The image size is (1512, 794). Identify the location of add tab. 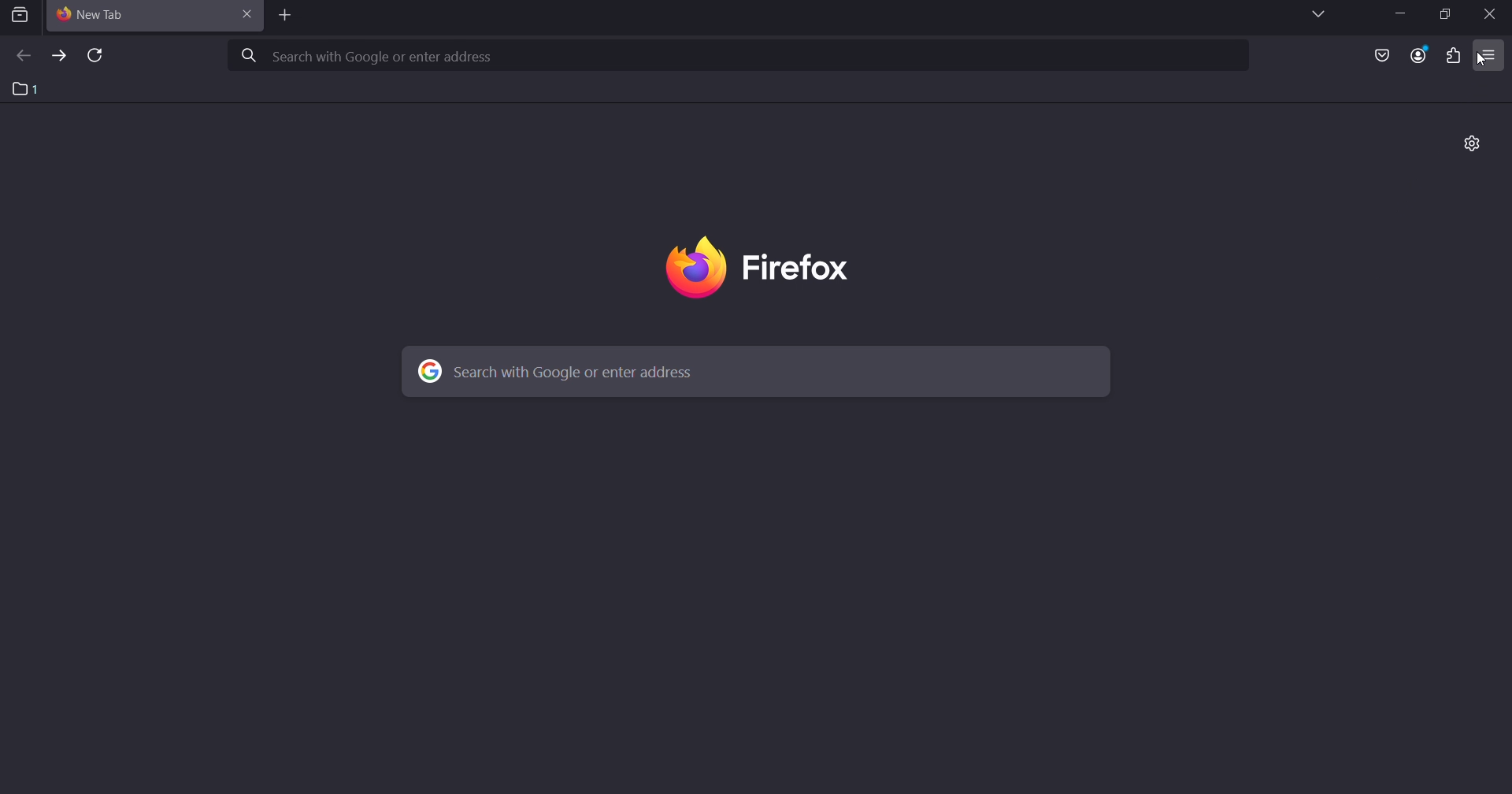
(285, 17).